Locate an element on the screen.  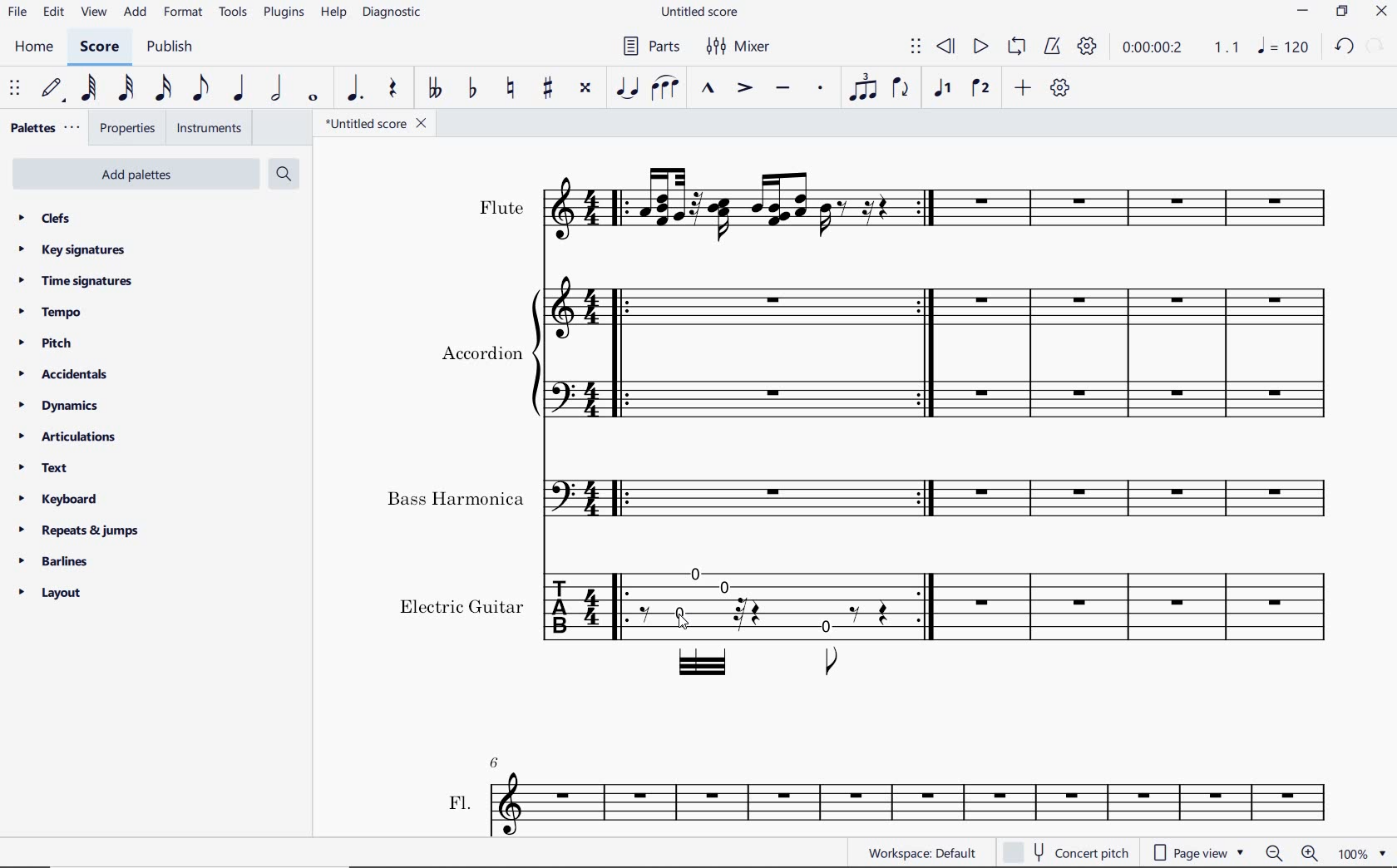
palettes is located at coordinates (43, 131).